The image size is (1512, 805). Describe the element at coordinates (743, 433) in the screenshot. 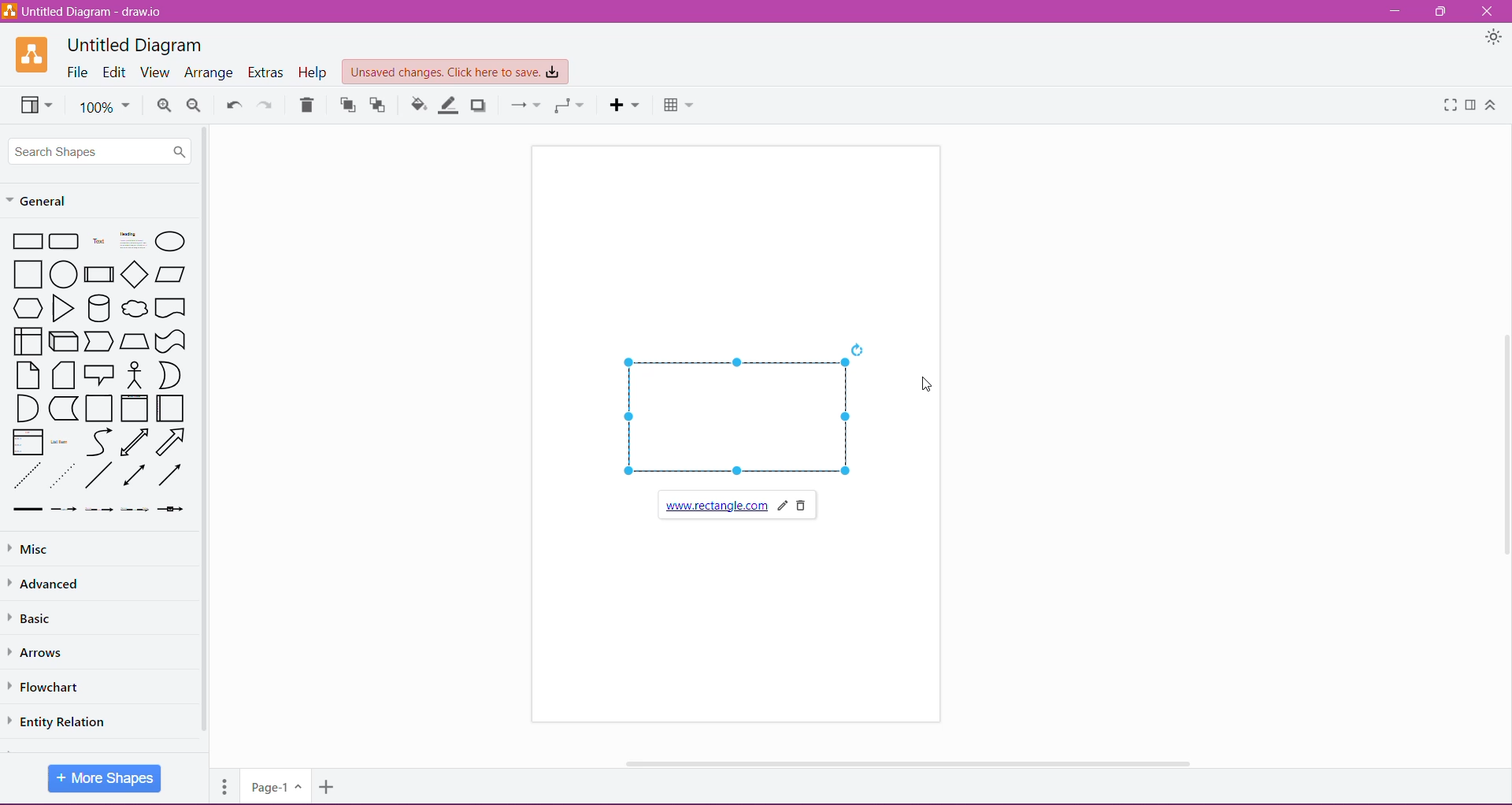

I see `Selected shape and the Hyperlink set` at that location.